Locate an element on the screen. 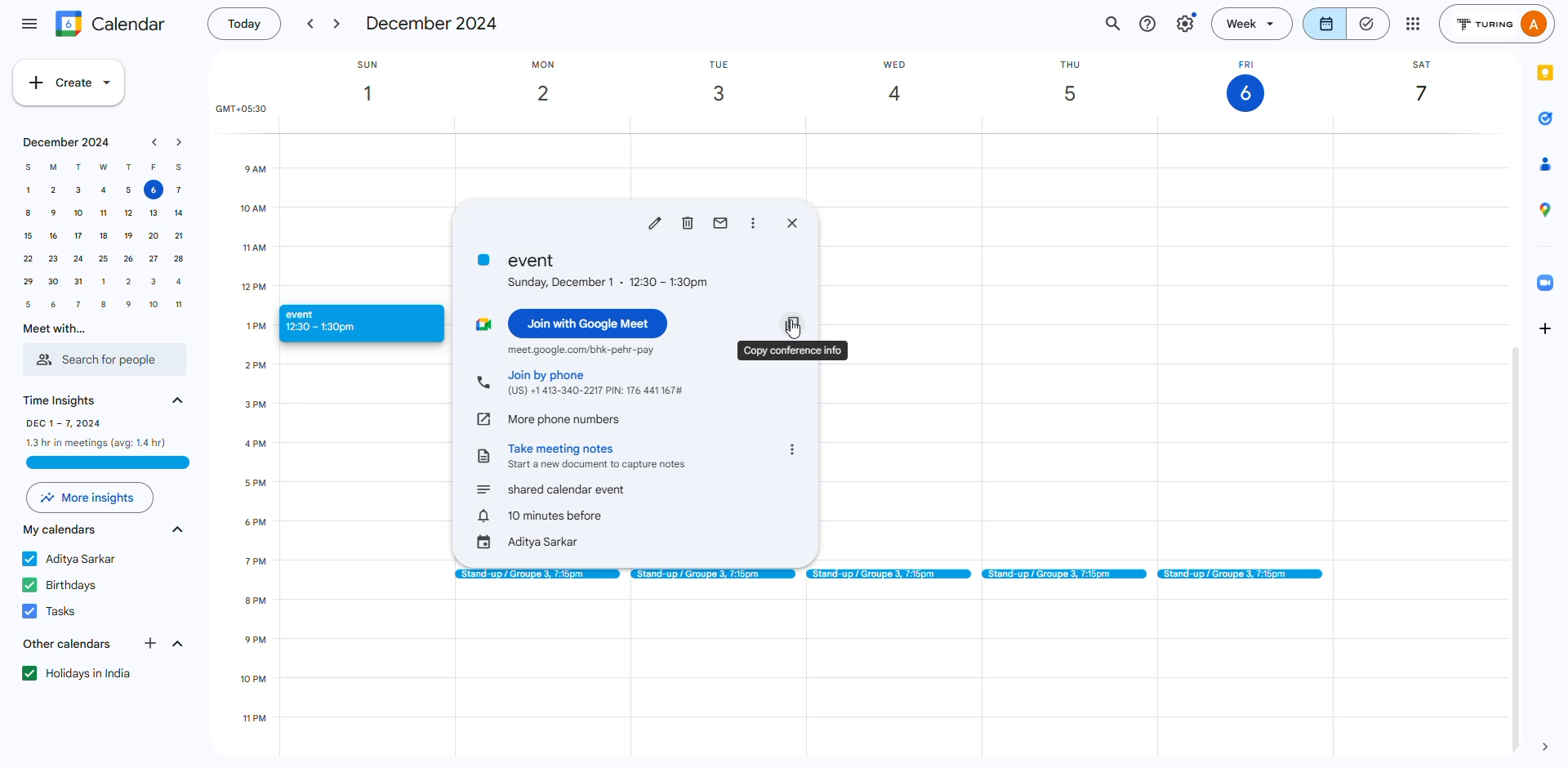  more is located at coordinates (755, 223).